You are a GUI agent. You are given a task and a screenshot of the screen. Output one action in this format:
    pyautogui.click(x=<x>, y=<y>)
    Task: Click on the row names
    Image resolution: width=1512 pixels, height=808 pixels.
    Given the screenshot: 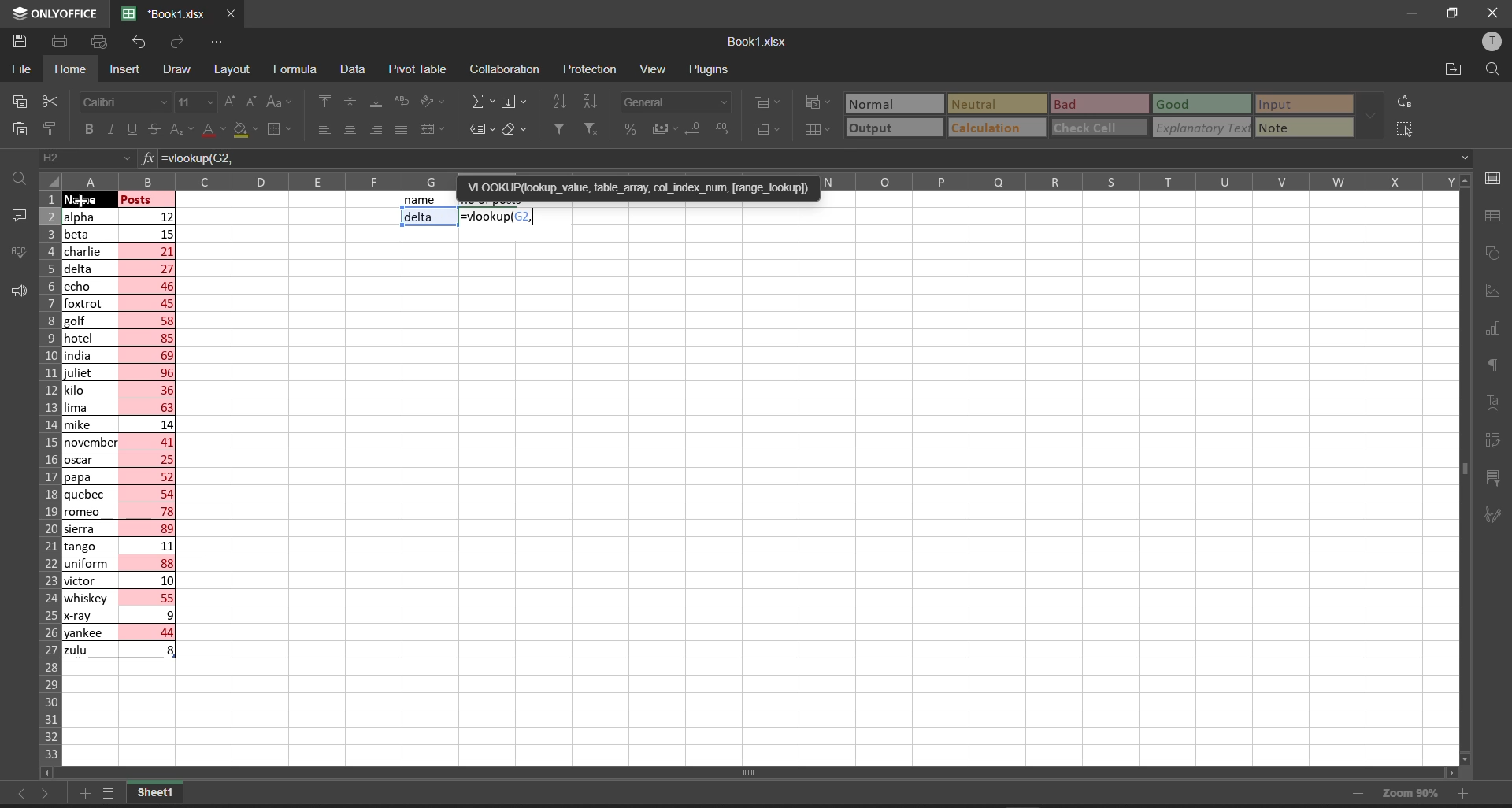 What is the action you would take?
    pyautogui.click(x=46, y=480)
    